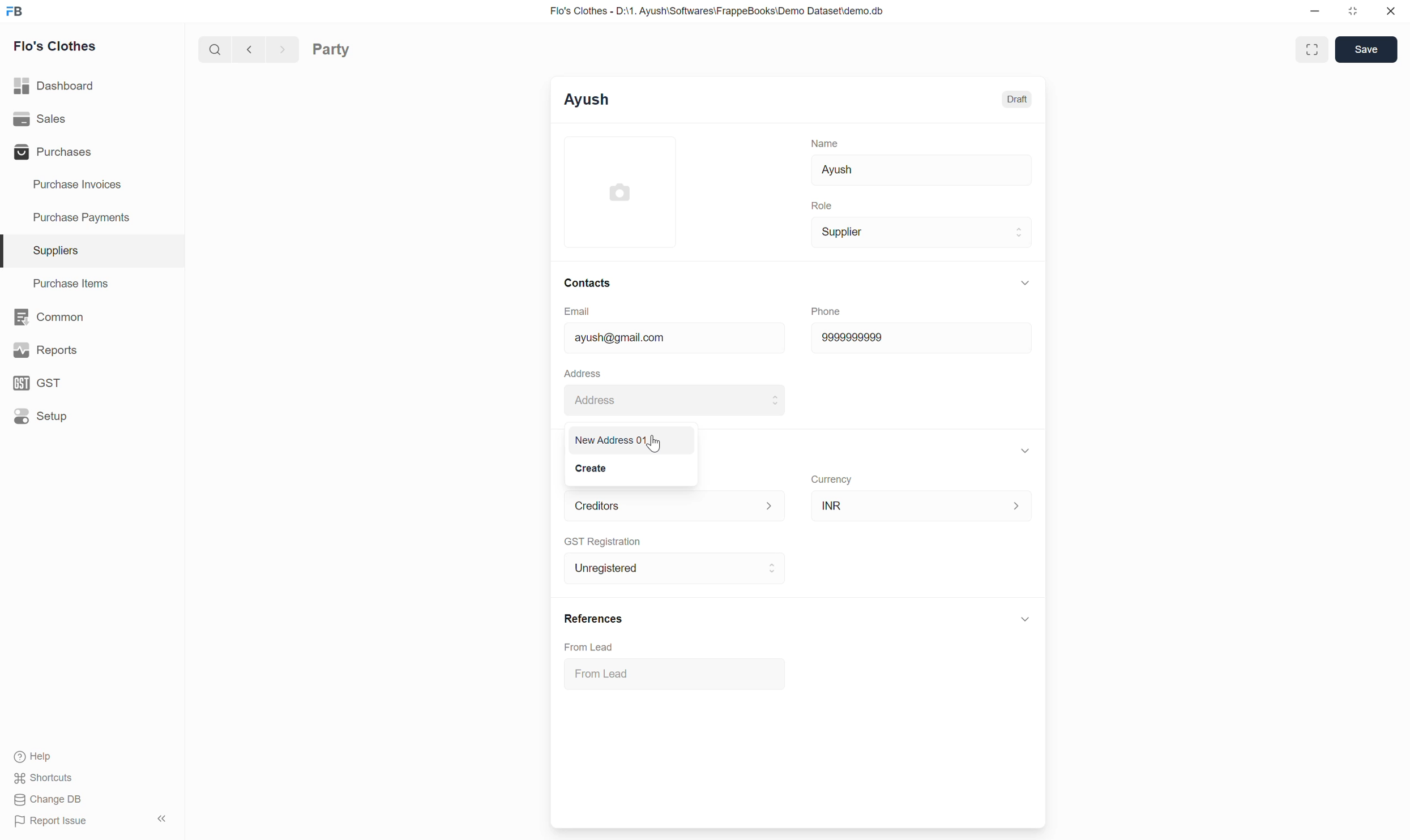  I want to click on Close, so click(1391, 11).